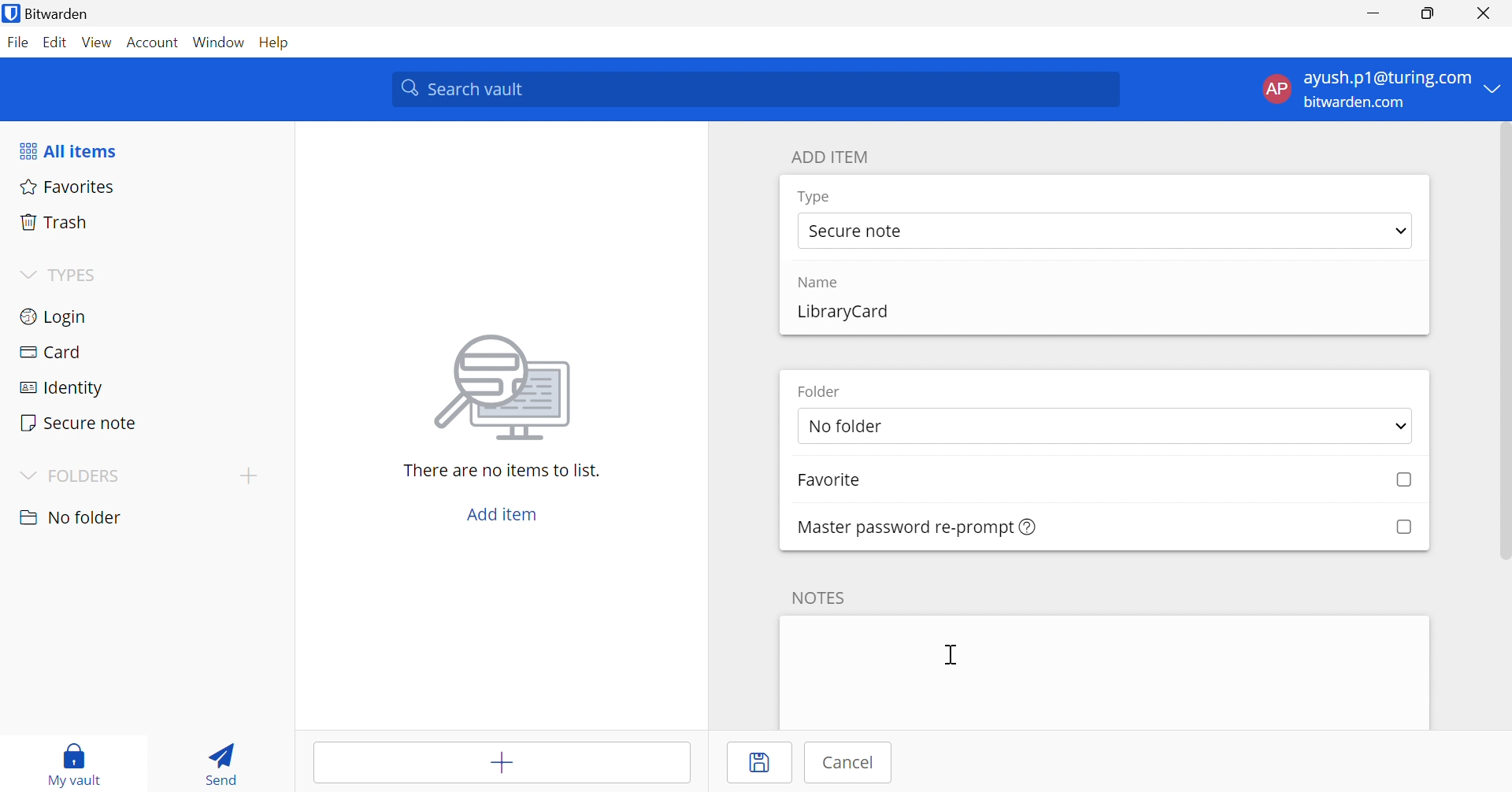 The height and width of the screenshot is (792, 1512). I want to click on Edit, so click(57, 43).